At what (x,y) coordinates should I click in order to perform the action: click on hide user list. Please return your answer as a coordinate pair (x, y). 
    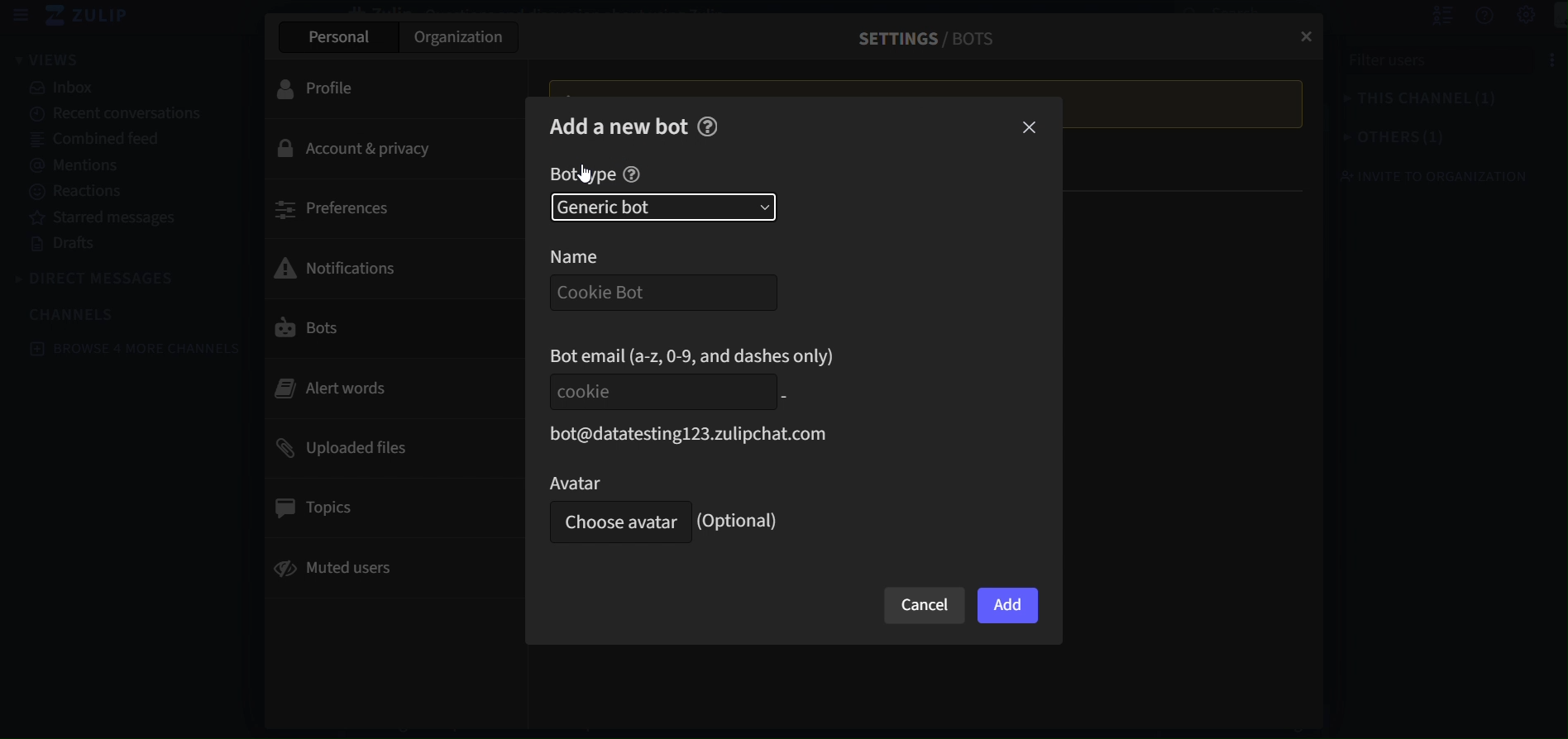
    Looking at the image, I should click on (1423, 16).